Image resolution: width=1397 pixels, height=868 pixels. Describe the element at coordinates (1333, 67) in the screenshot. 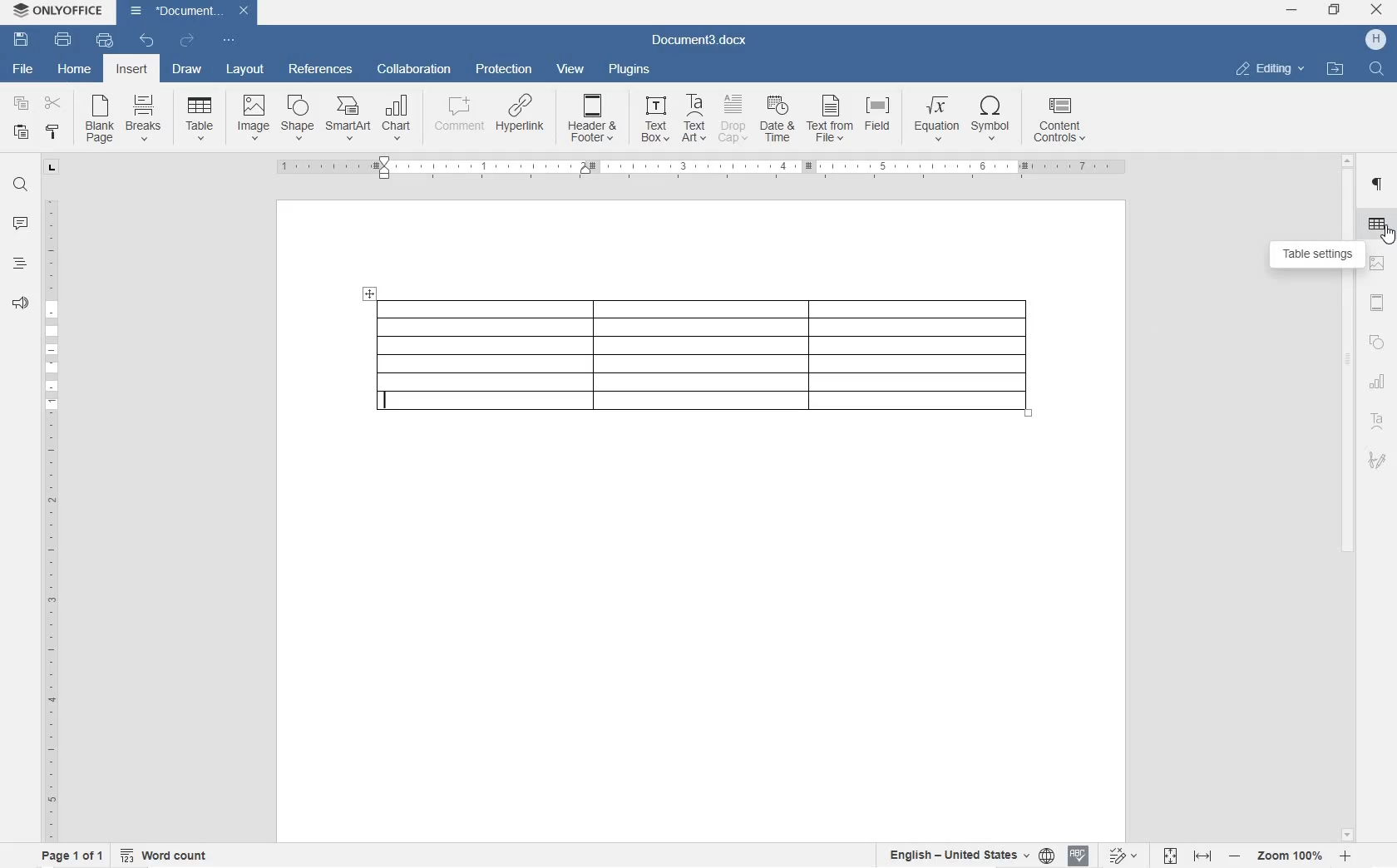

I see `OPEN FILE LOCATION` at that location.